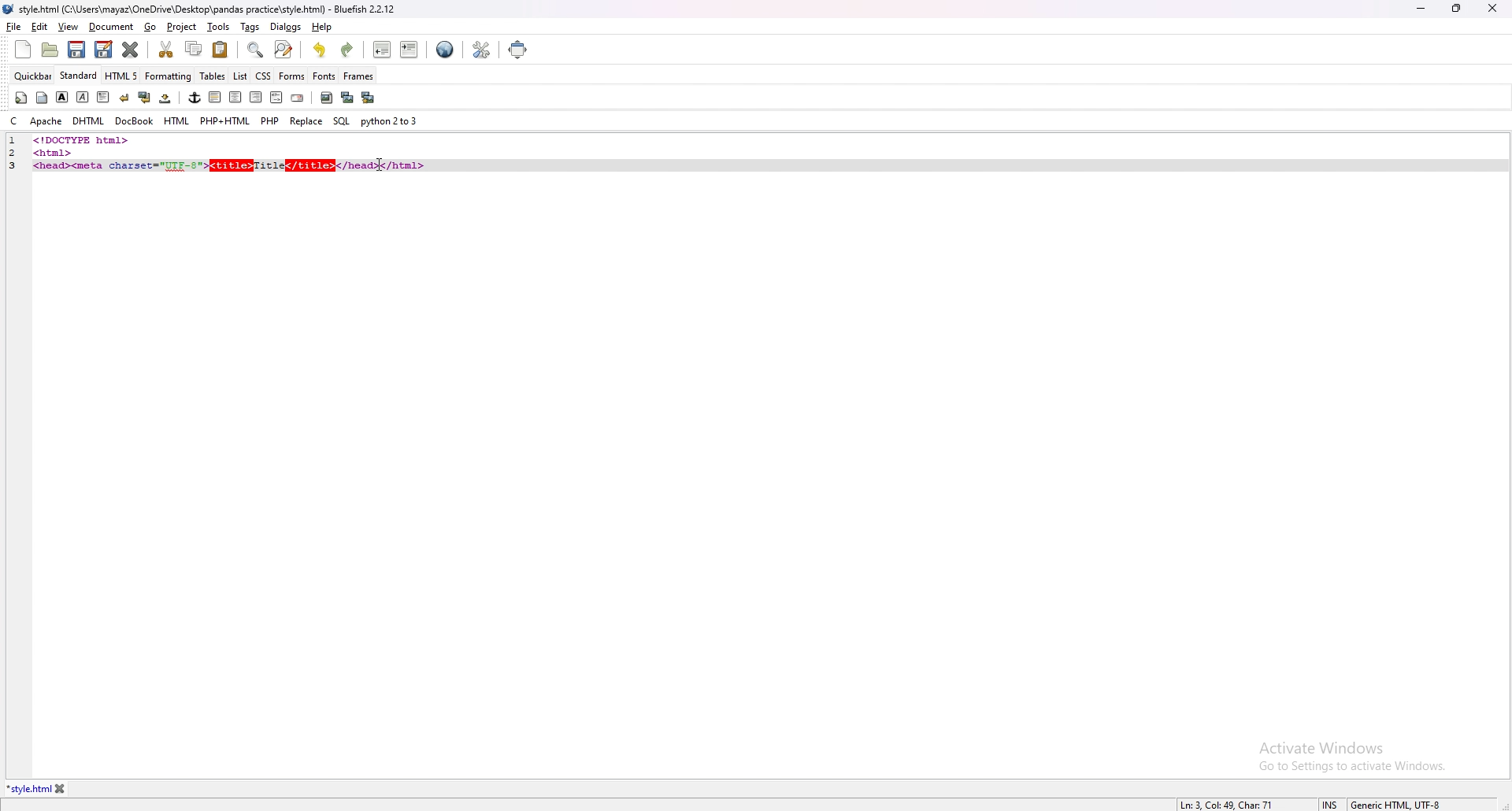  What do you see at coordinates (13, 141) in the screenshot?
I see `line number` at bounding box center [13, 141].